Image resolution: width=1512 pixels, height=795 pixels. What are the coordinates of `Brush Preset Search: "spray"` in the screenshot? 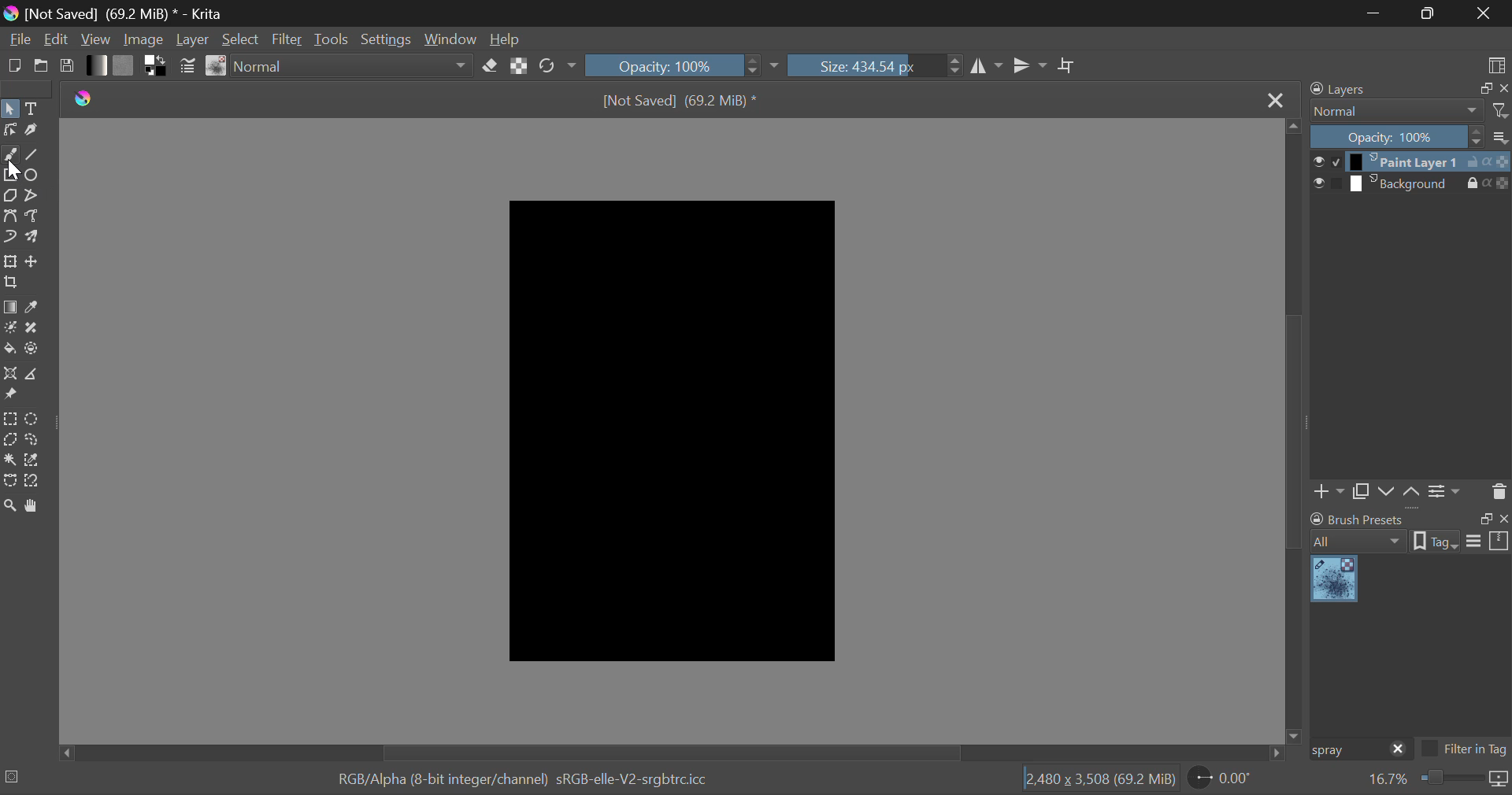 It's located at (1346, 750).